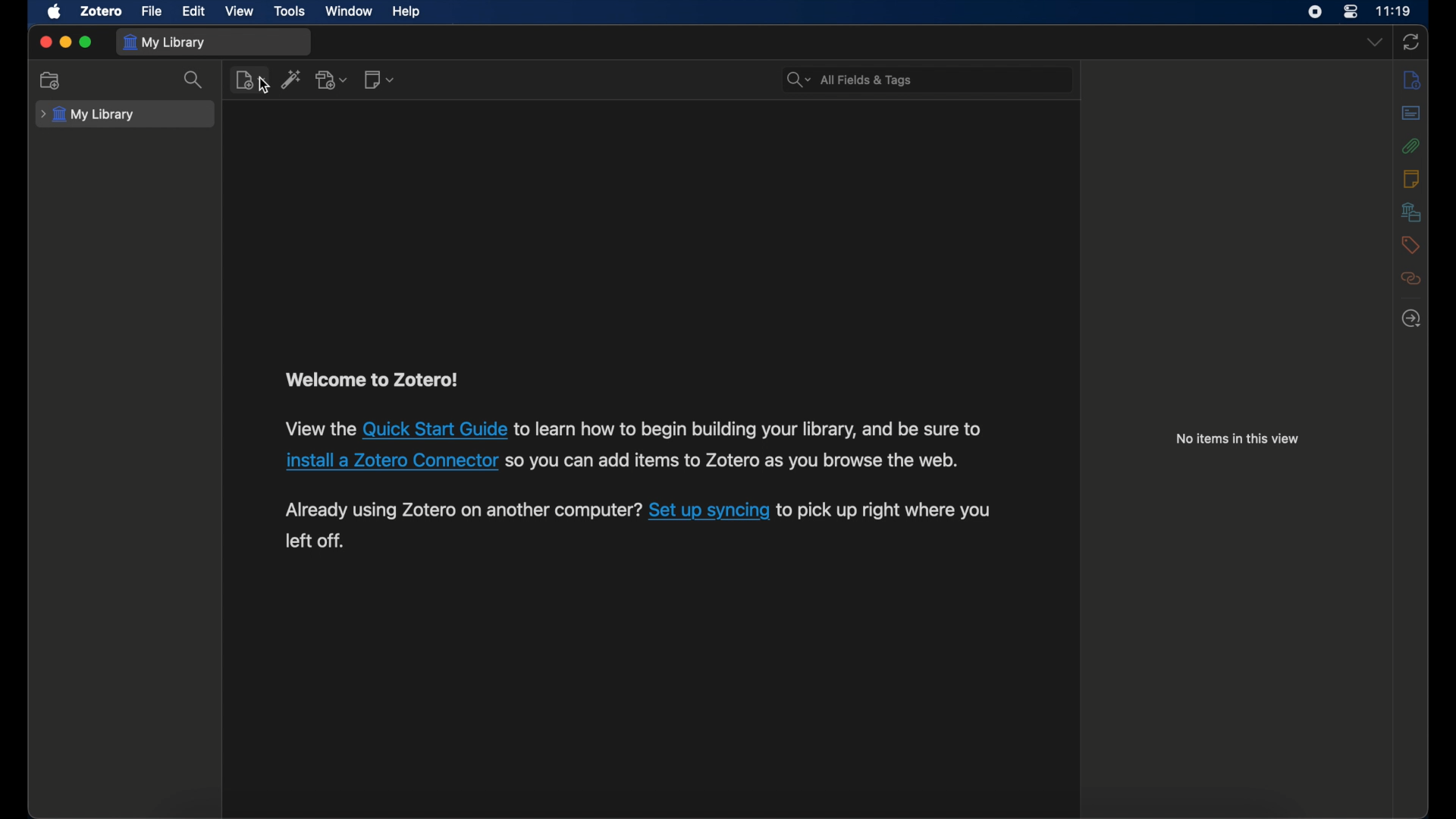 This screenshot has width=1456, height=819. What do you see at coordinates (45, 42) in the screenshot?
I see `close` at bounding box center [45, 42].